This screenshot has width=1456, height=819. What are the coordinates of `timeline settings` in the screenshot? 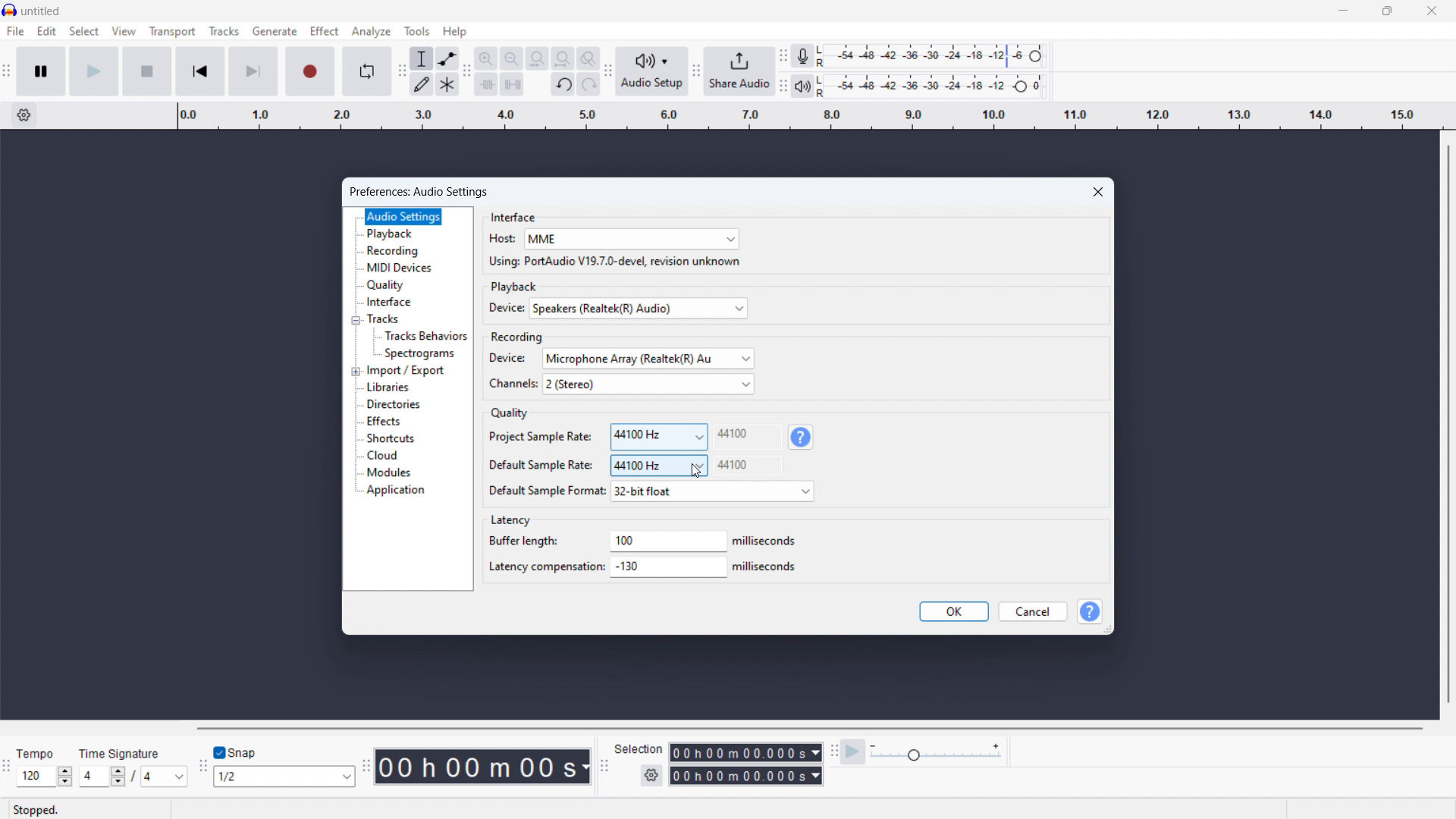 It's located at (24, 116).